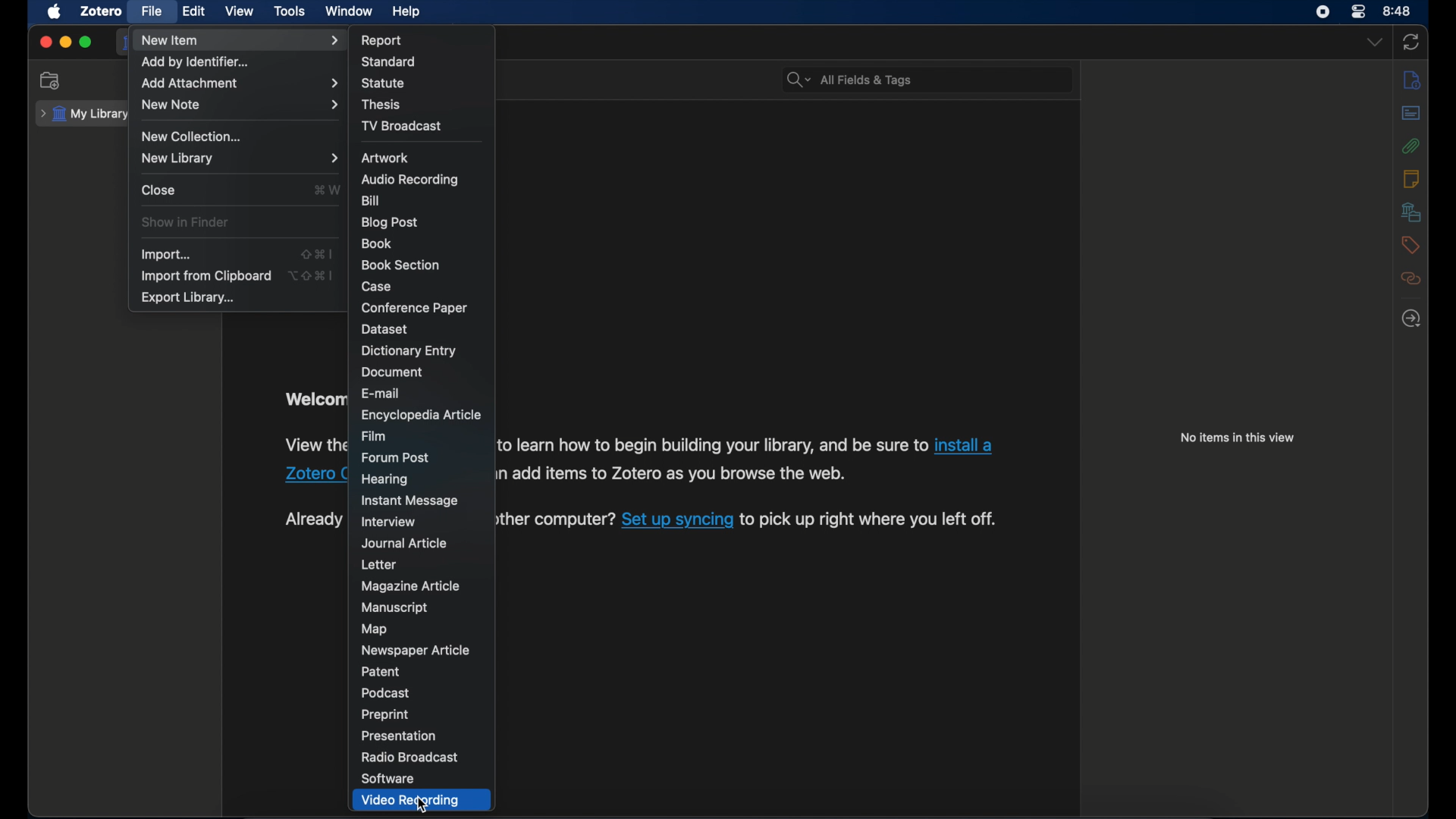 This screenshot has height=819, width=1456. What do you see at coordinates (382, 40) in the screenshot?
I see `report` at bounding box center [382, 40].